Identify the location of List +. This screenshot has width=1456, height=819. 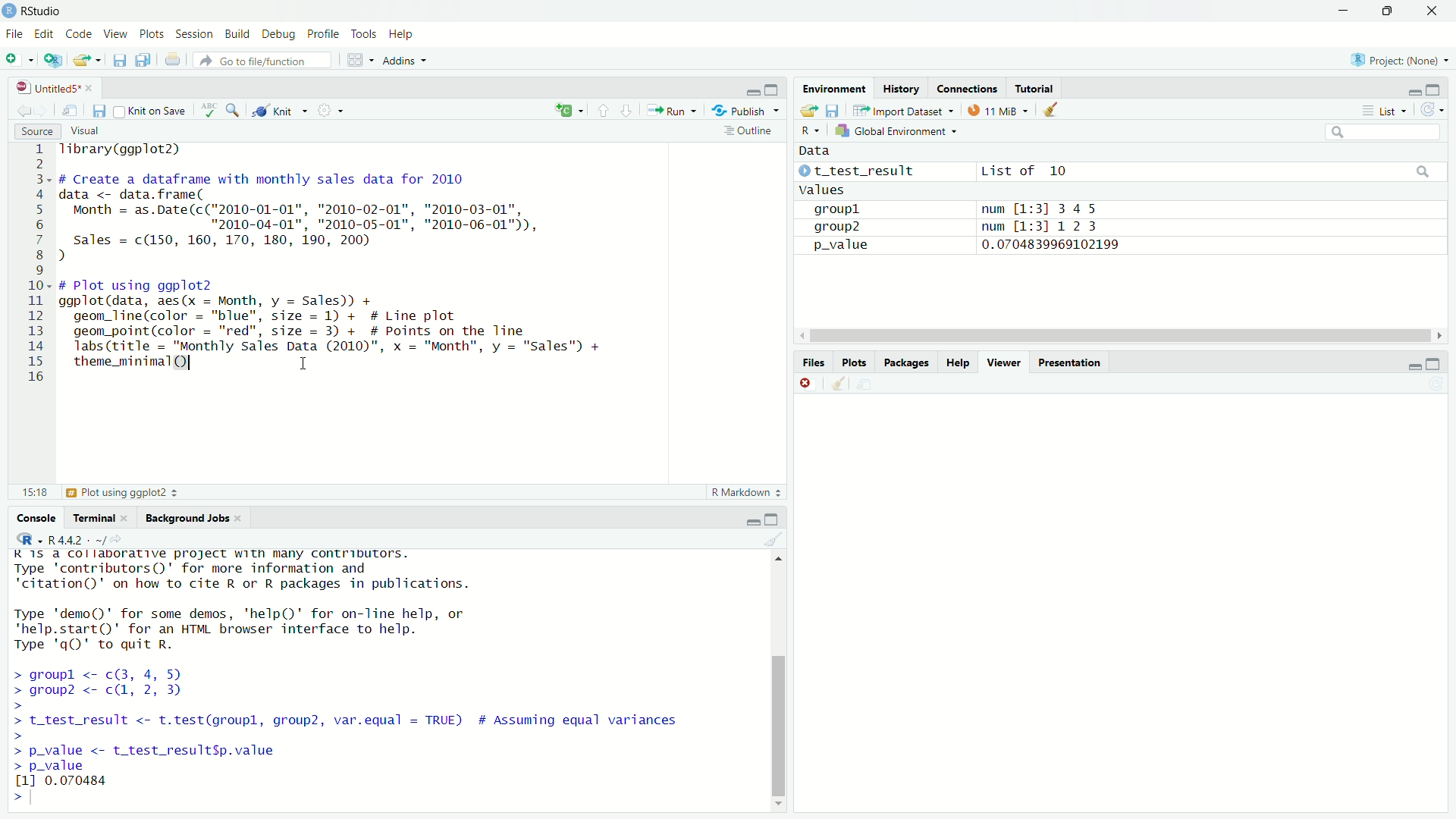
(1382, 110).